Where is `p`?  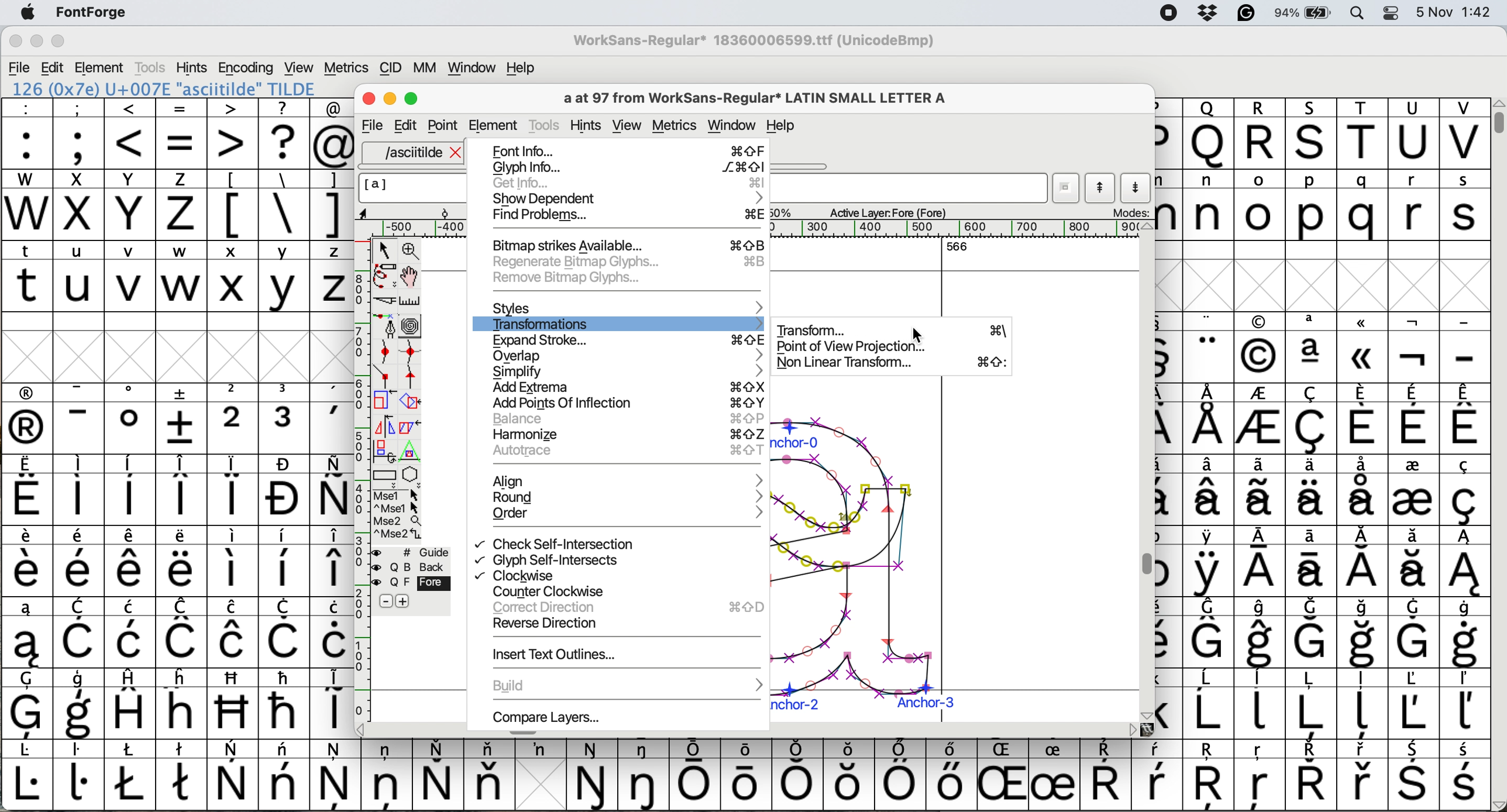
p is located at coordinates (1312, 207).